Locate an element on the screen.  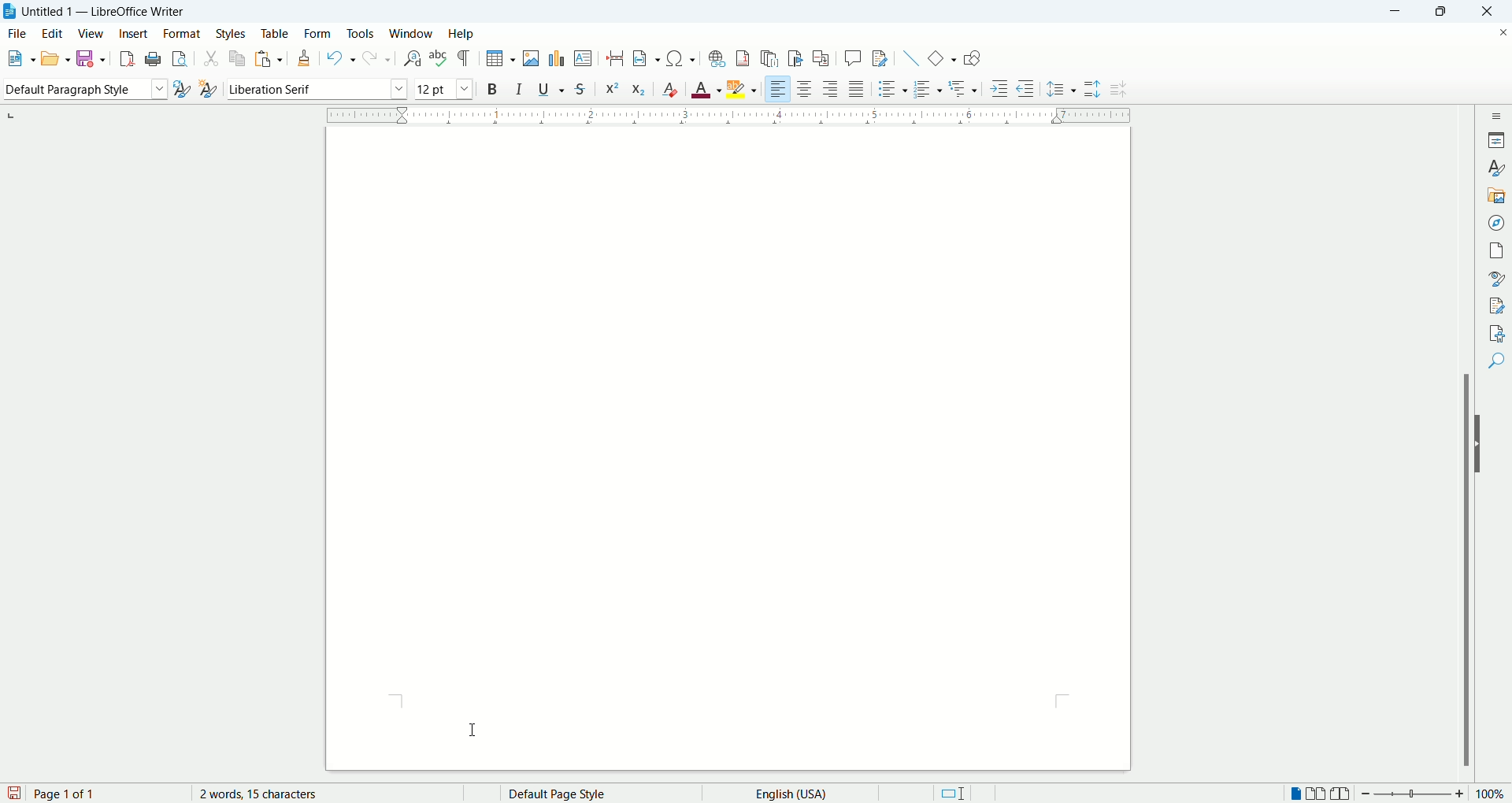
form is located at coordinates (318, 32).